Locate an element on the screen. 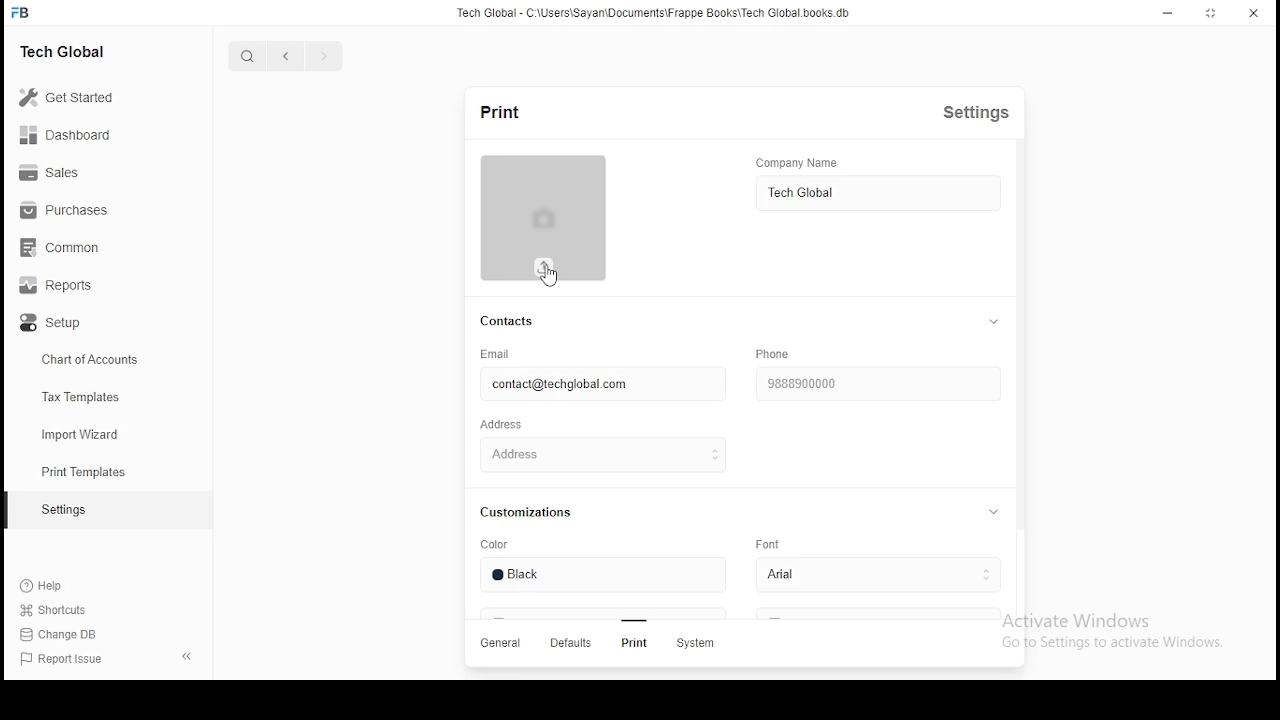  GENERAL  is located at coordinates (503, 645).